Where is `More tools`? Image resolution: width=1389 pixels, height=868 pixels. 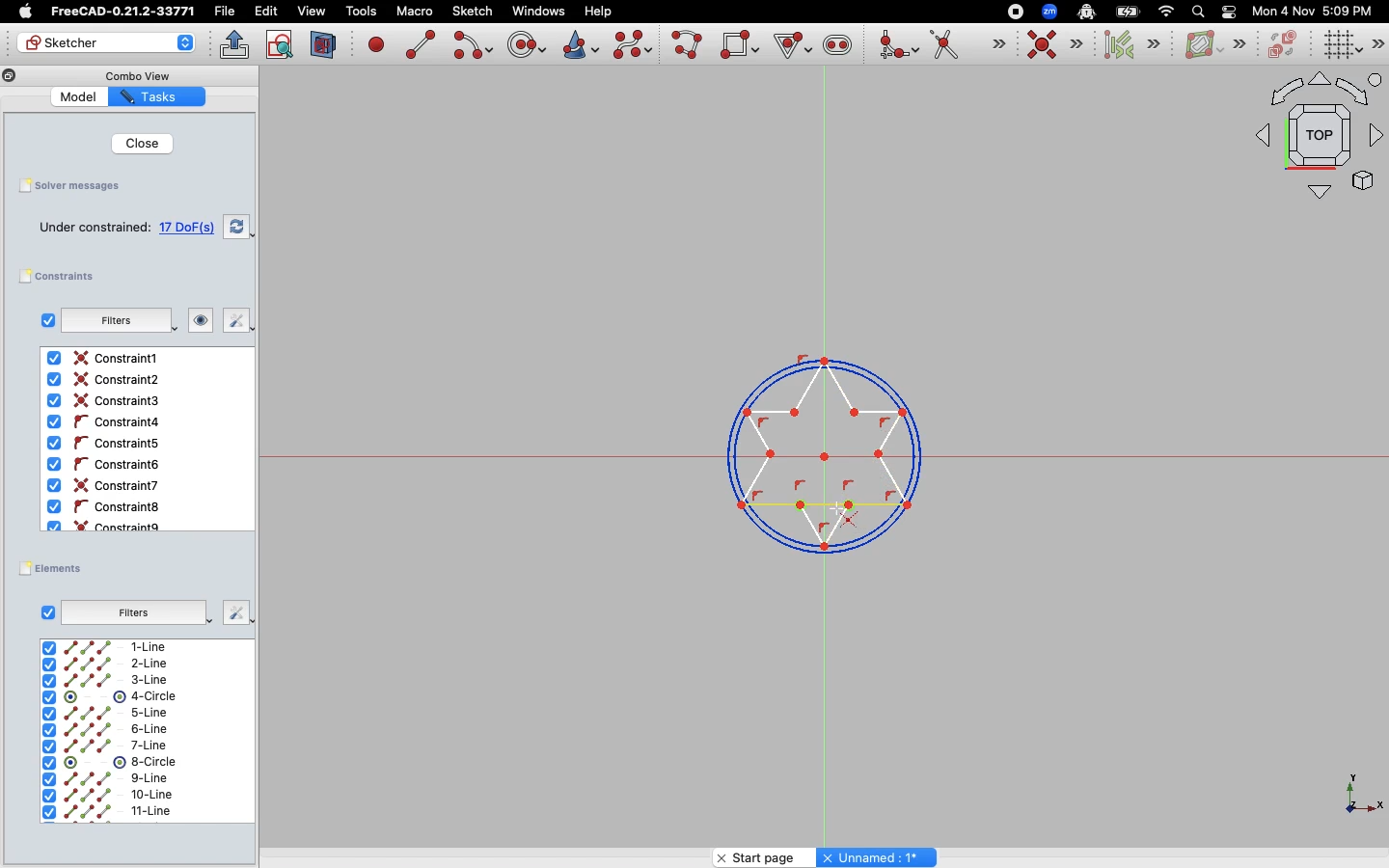 More tools is located at coordinates (1378, 49).